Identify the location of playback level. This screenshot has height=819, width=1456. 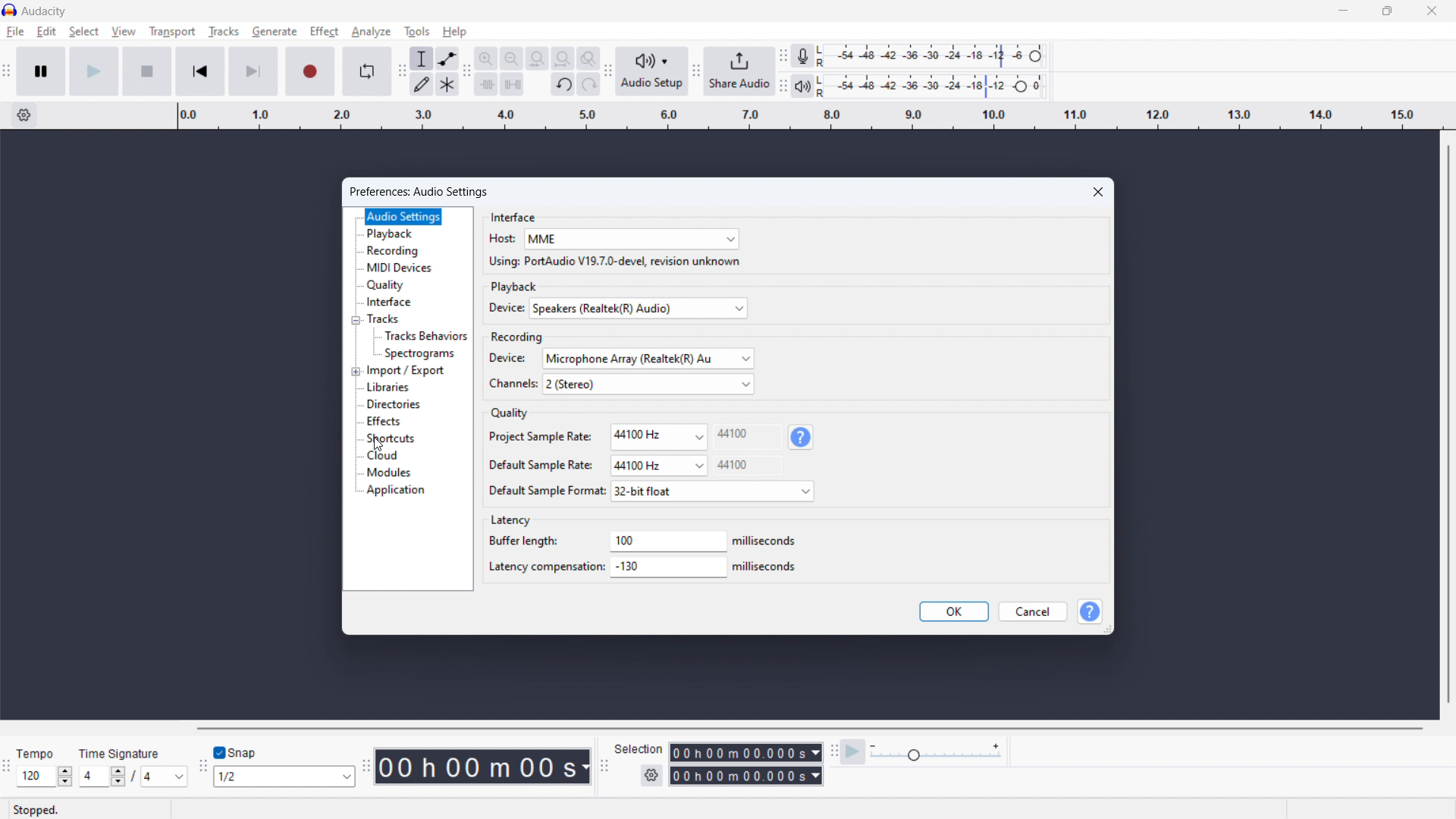
(914, 86).